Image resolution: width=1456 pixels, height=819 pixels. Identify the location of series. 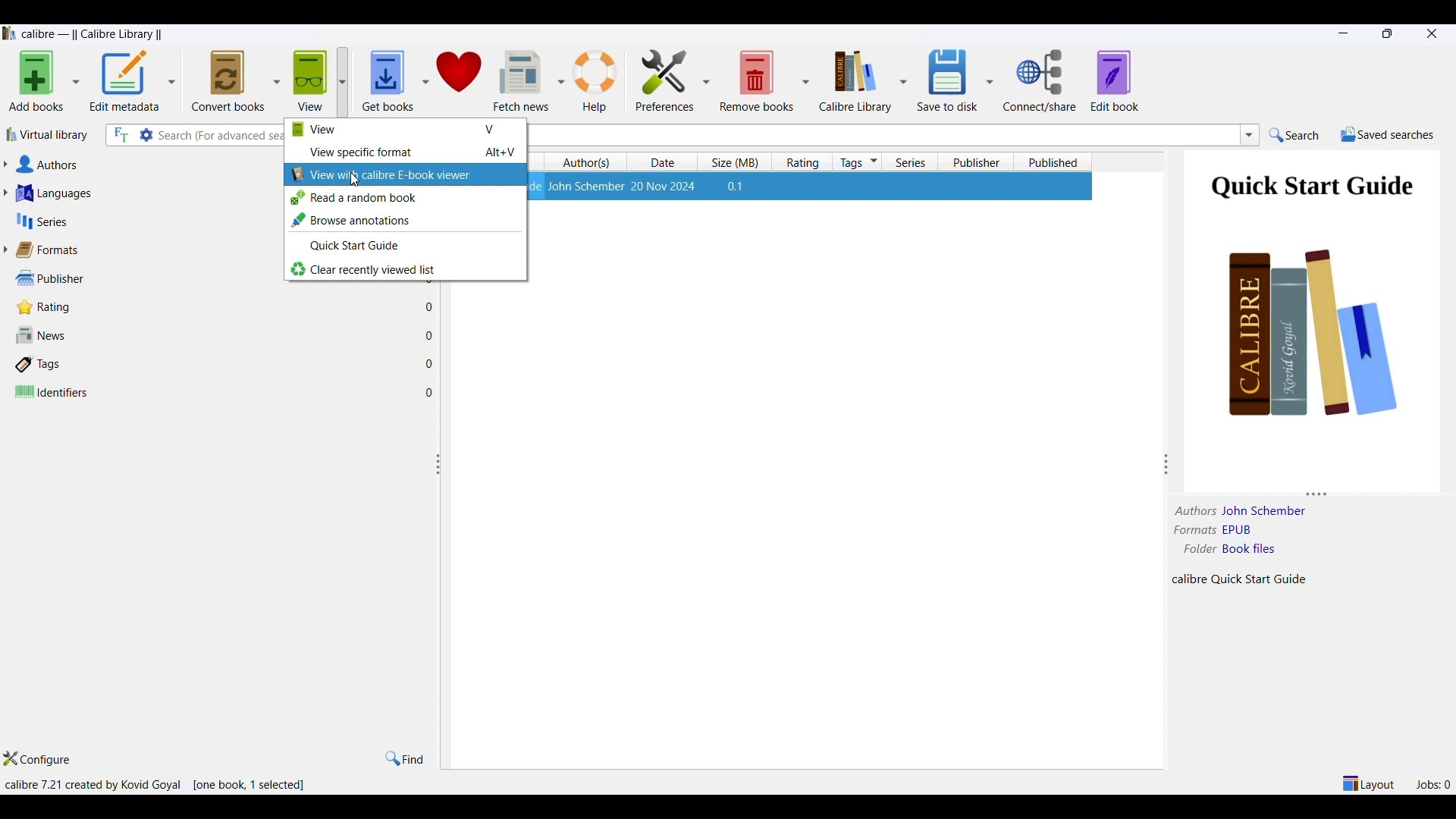
(140, 220).